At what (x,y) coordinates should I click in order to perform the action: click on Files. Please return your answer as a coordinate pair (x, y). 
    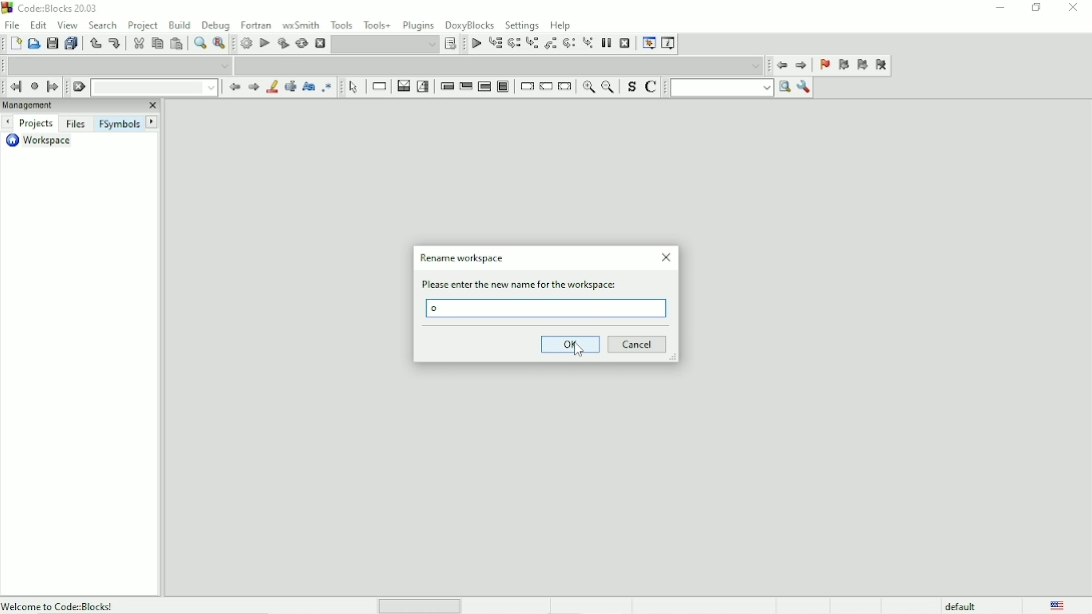
    Looking at the image, I should click on (75, 124).